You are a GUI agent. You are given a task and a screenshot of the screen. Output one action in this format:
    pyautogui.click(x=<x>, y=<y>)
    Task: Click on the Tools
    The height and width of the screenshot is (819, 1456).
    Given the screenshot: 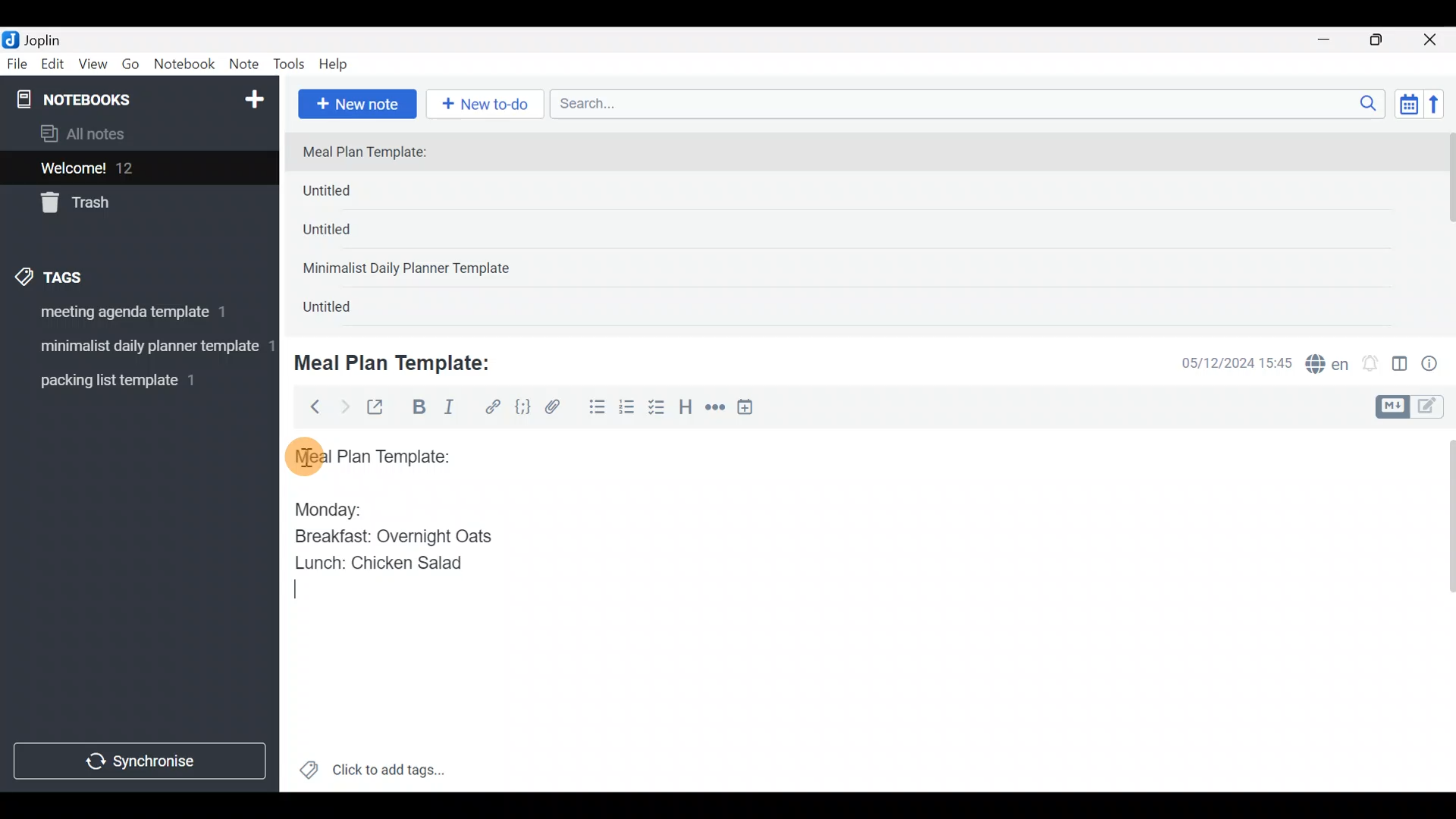 What is the action you would take?
    pyautogui.click(x=290, y=65)
    